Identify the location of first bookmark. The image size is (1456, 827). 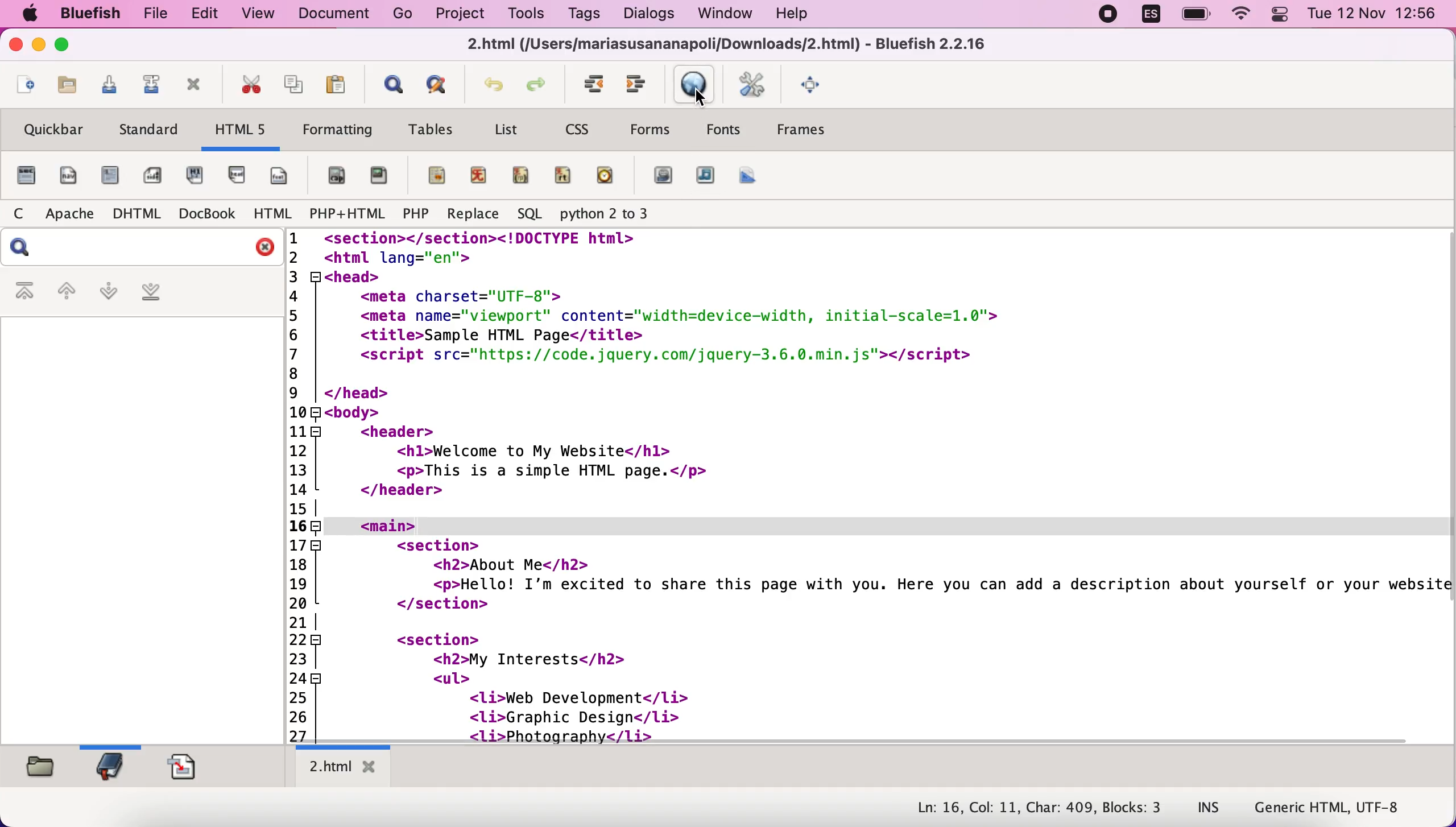
(25, 296).